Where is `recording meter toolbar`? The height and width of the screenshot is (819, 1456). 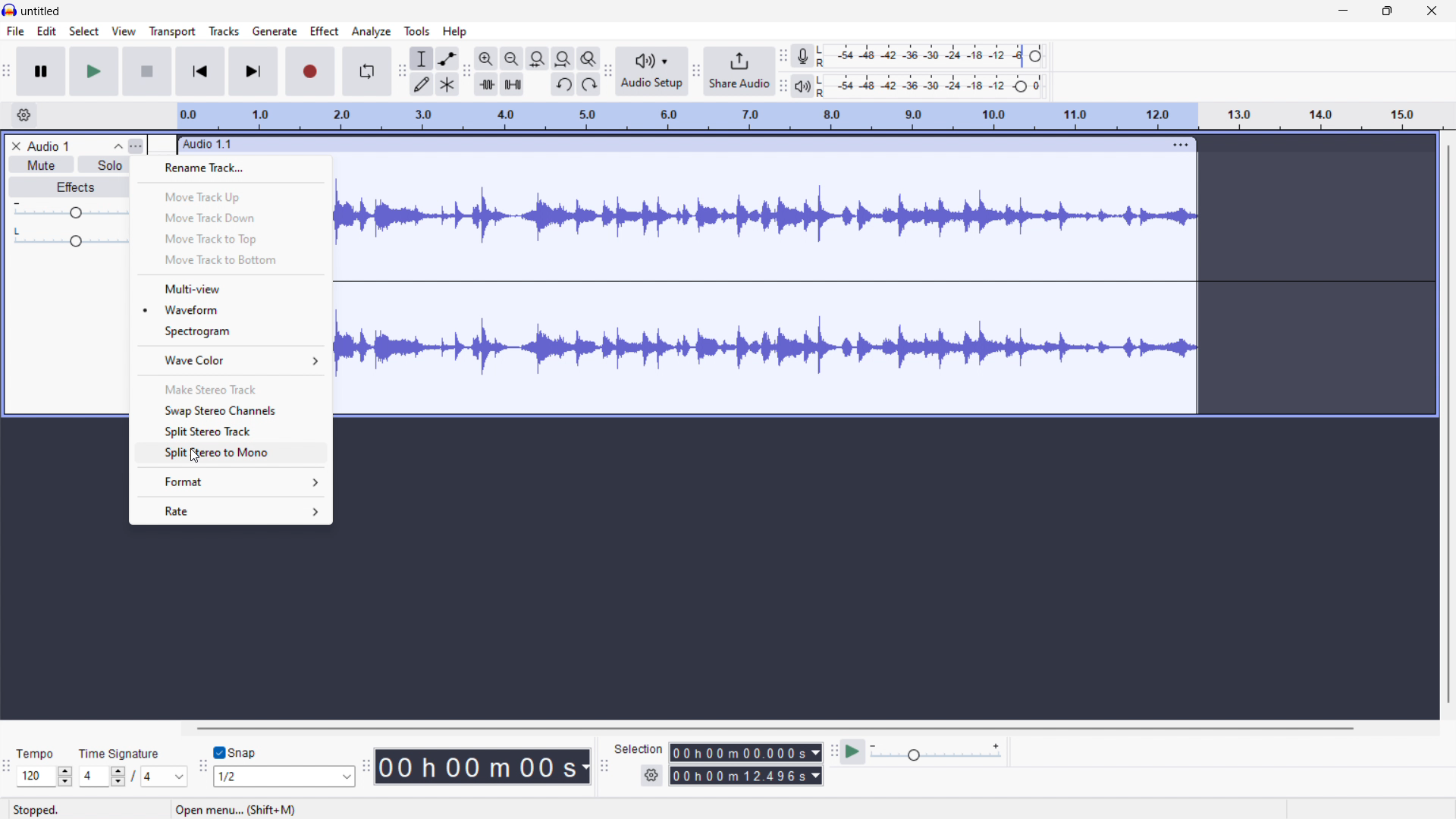 recording meter toolbar is located at coordinates (783, 55).